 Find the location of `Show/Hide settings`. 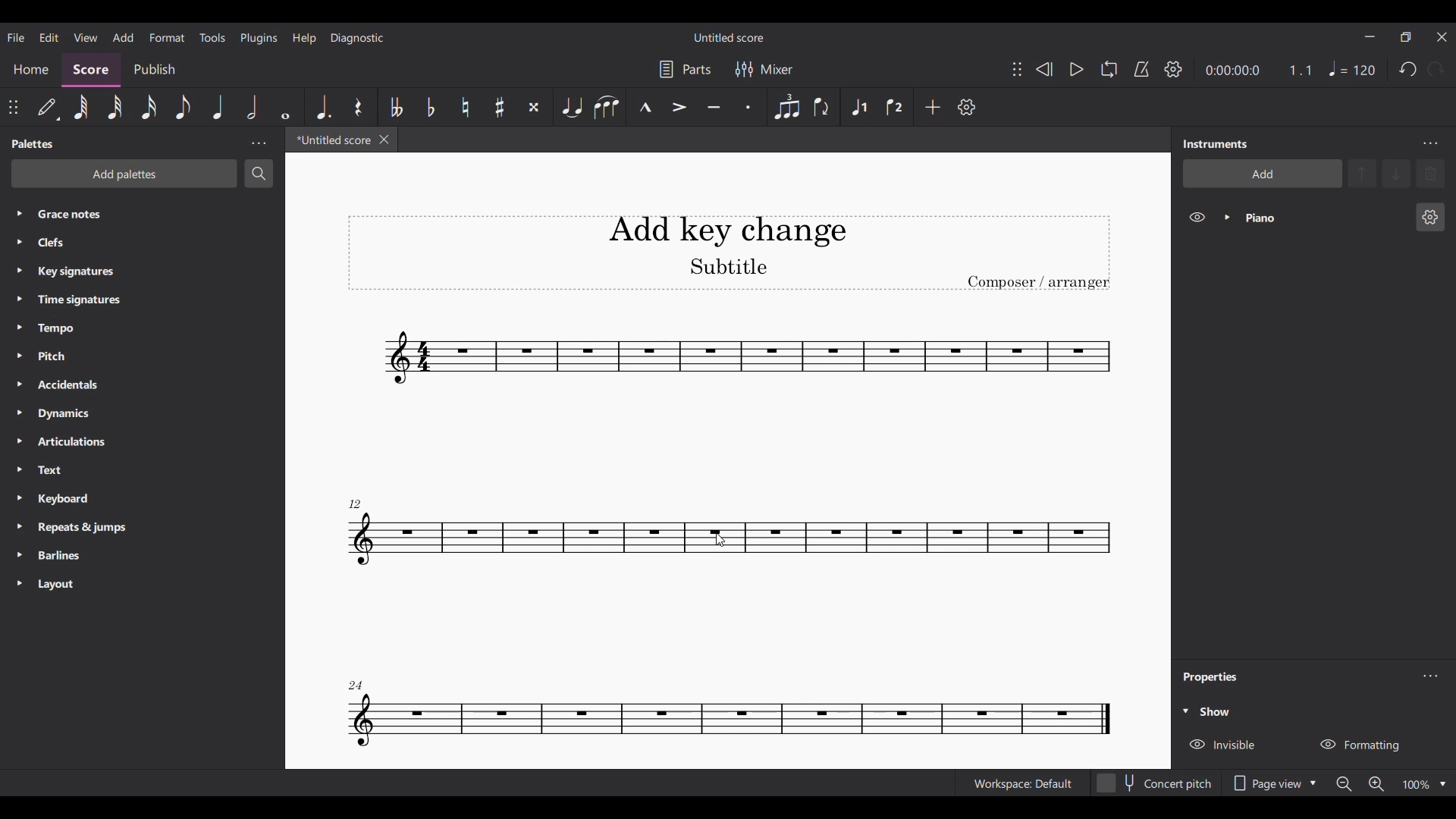

Show/Hide settings is located at coordinates (1174, 69).